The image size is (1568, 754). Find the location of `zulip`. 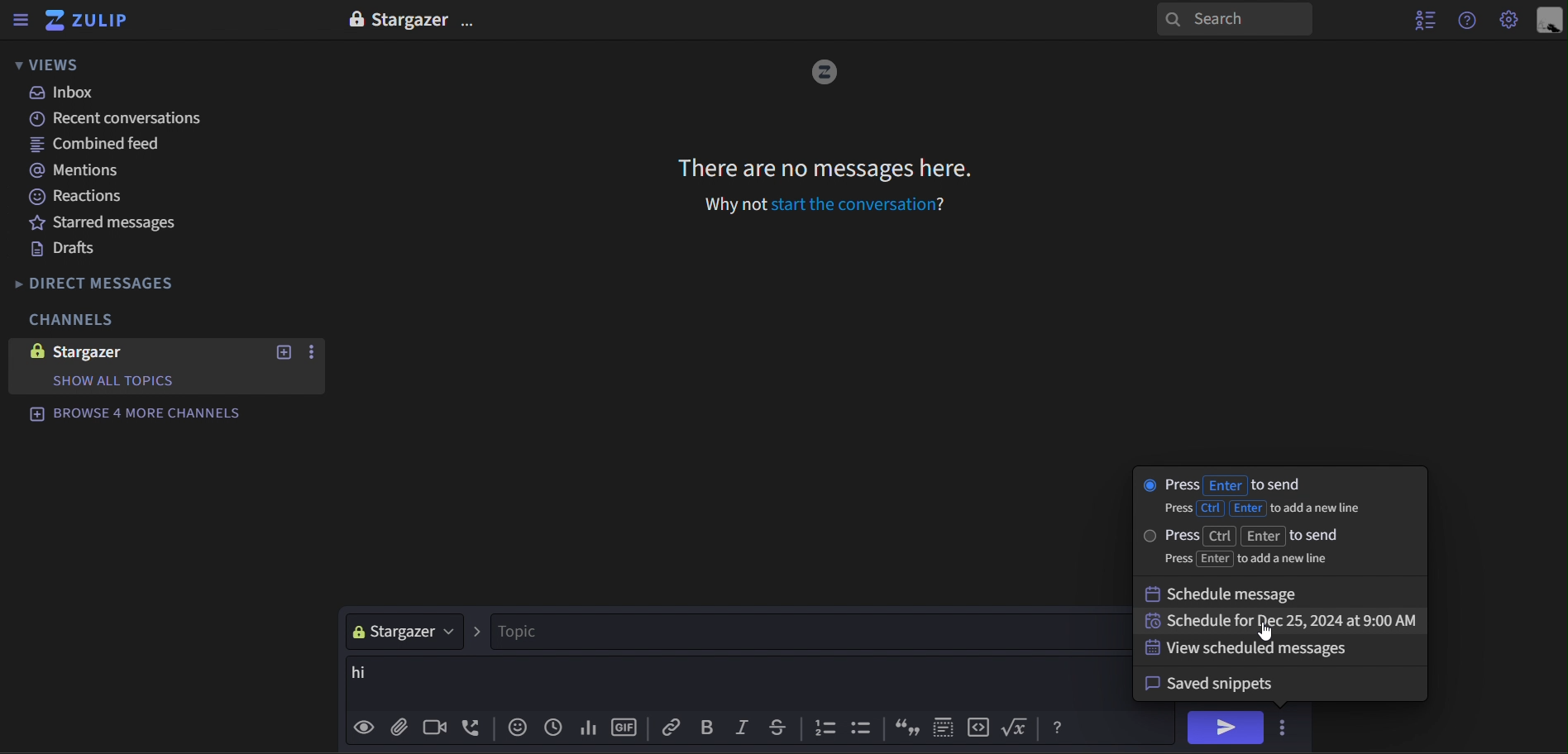

zulip is located at coordinates (89, 21).